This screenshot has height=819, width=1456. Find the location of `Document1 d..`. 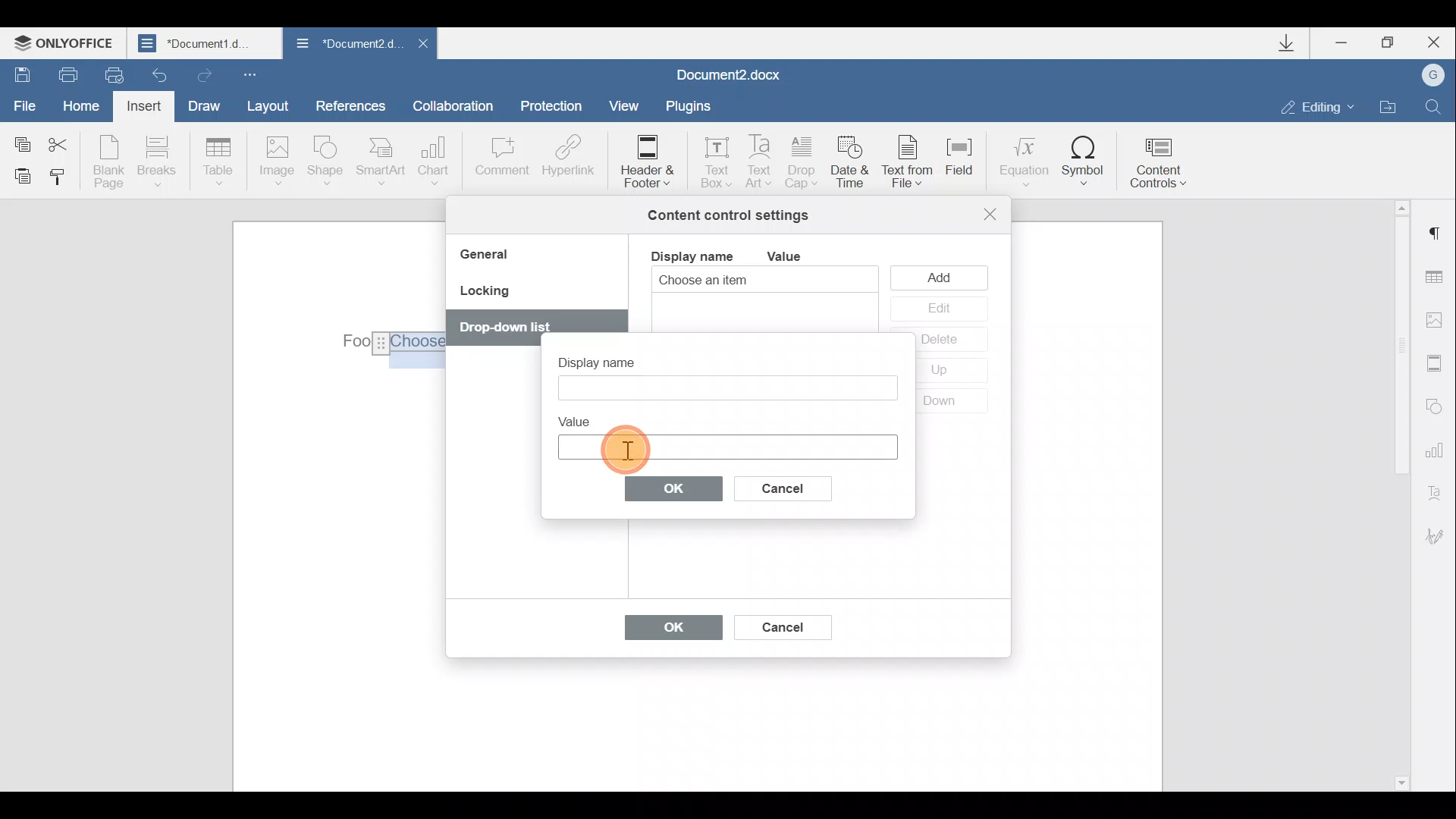

Document1 d.. is located at coordinates (206, 42).